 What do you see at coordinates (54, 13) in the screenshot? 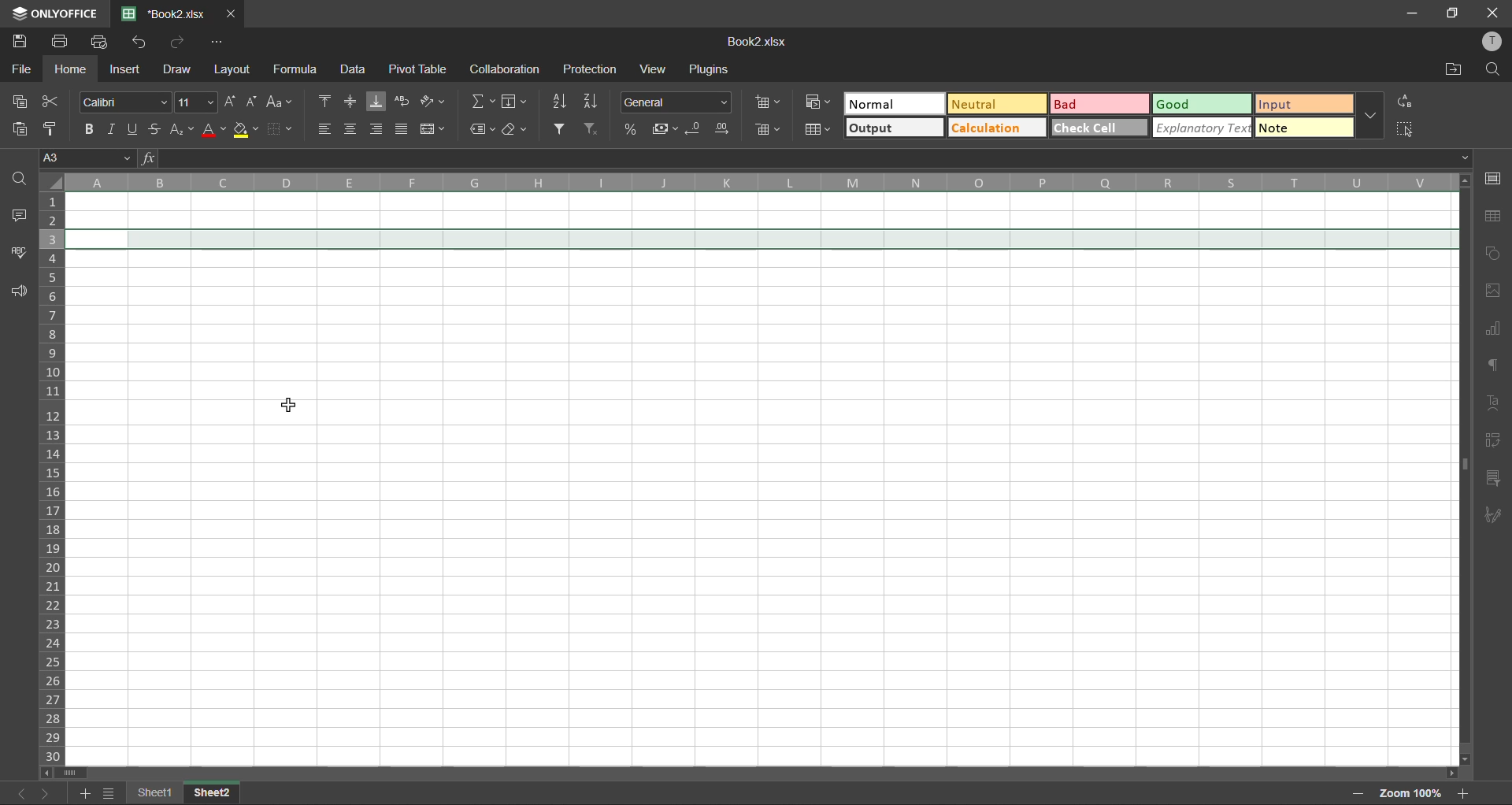
I see `ONLY OFFICE` at bounding box center [54, 13].